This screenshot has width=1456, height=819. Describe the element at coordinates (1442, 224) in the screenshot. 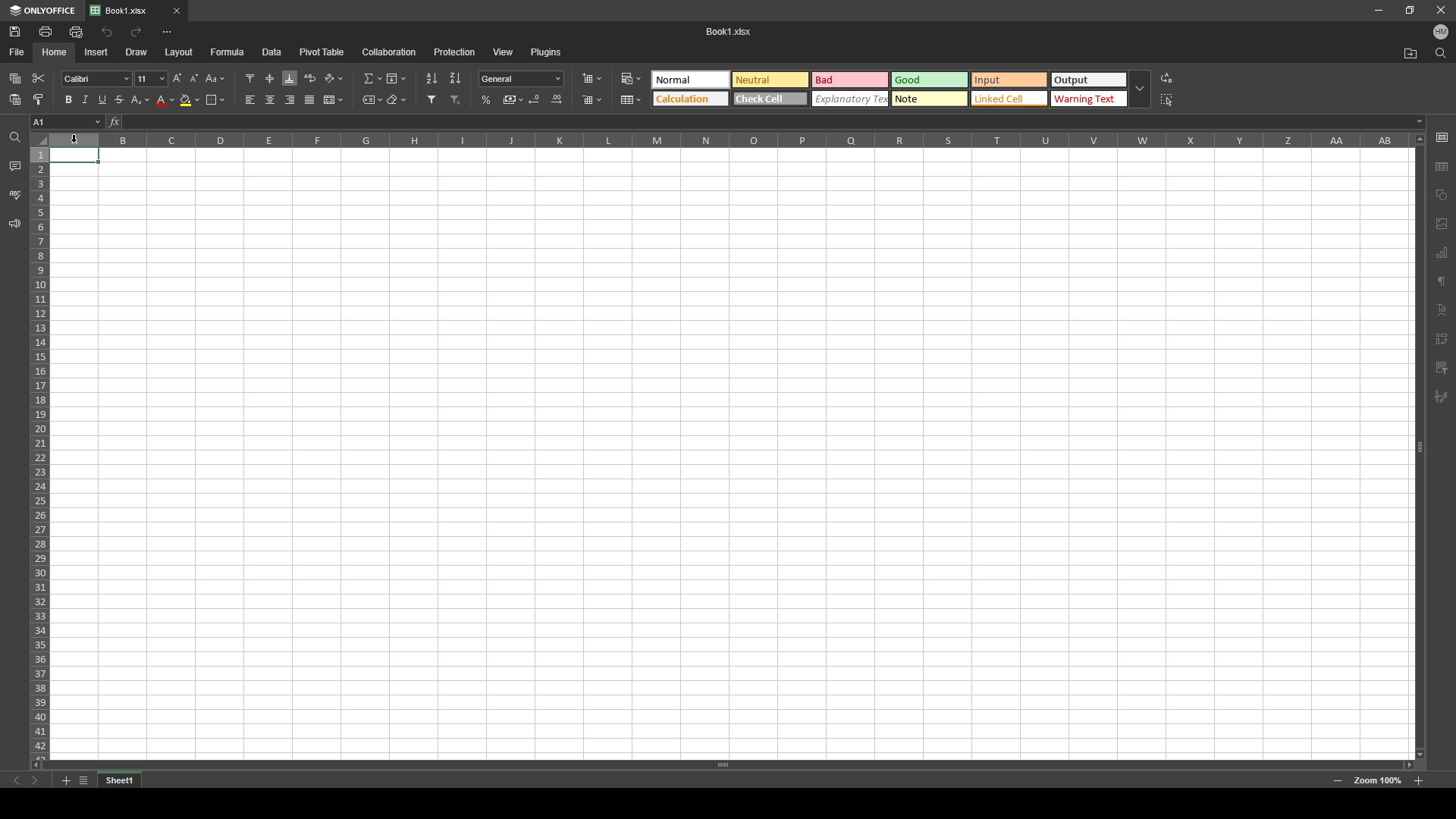

I see `image` at that location.